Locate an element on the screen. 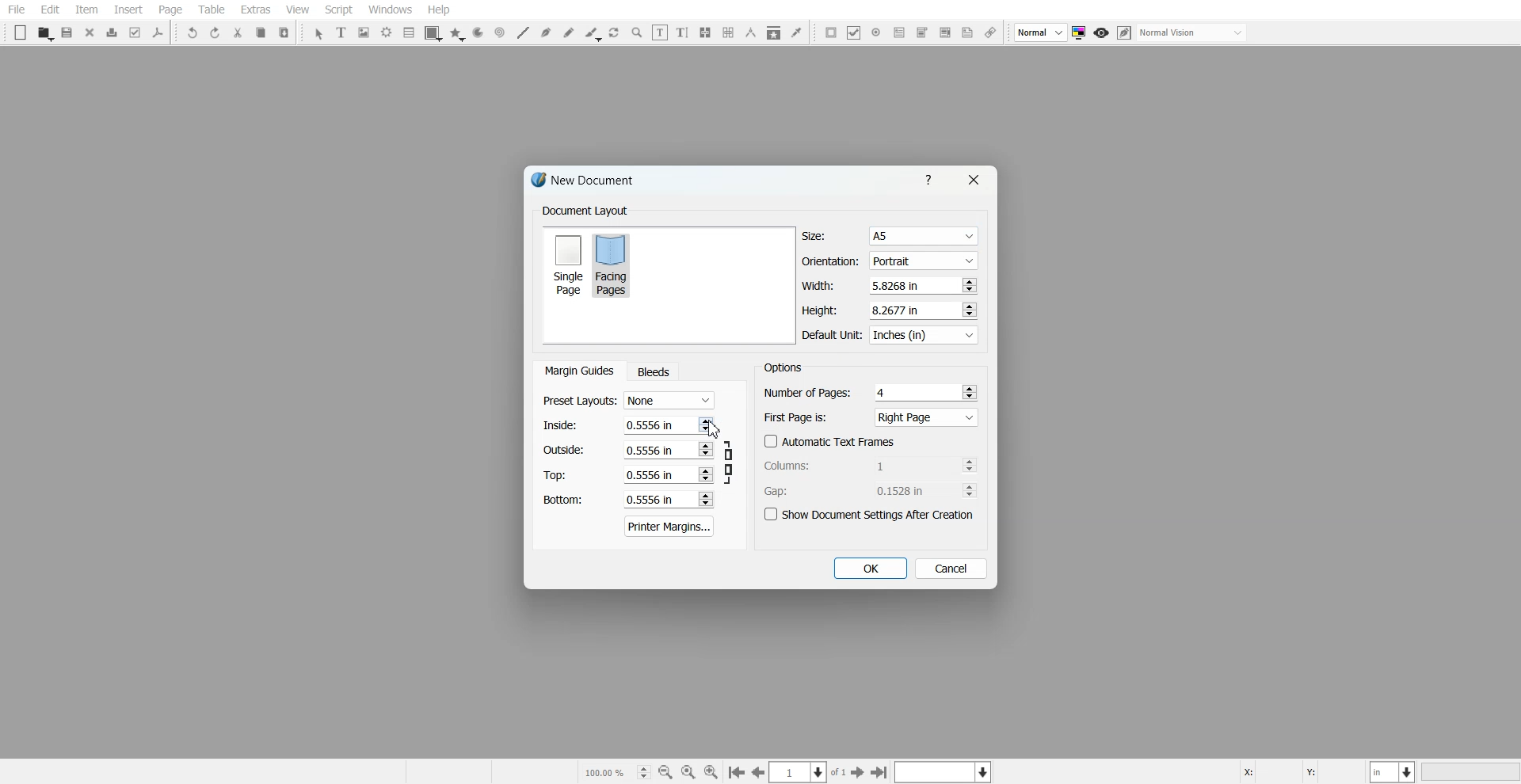 Image resolution: width=1521 pixels, height=784 pixels. Spiral is located at coordinates (499, 32).